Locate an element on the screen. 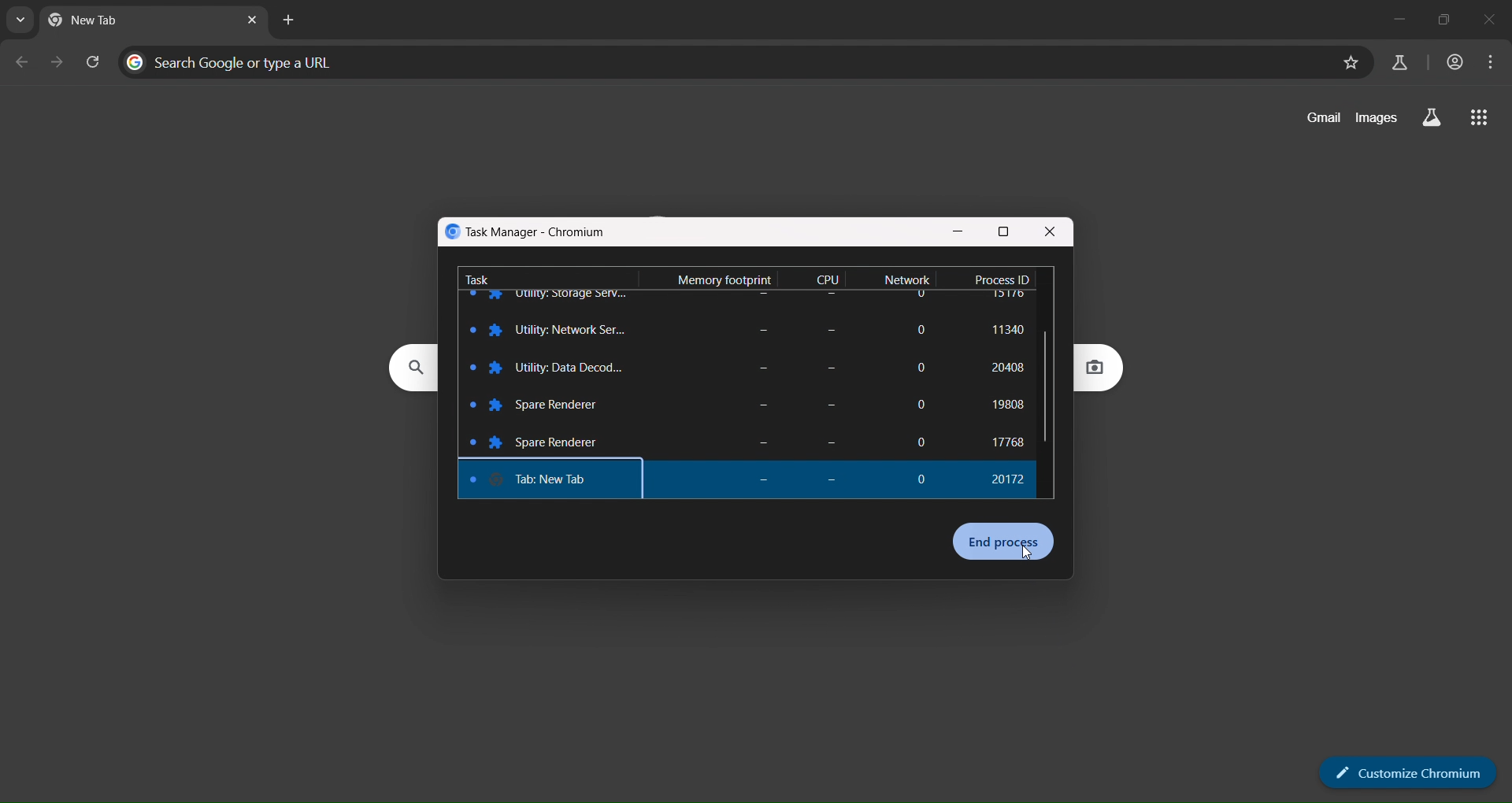 This screenshot has width=1512, height=803. close is located at coordinates (1051, 234).